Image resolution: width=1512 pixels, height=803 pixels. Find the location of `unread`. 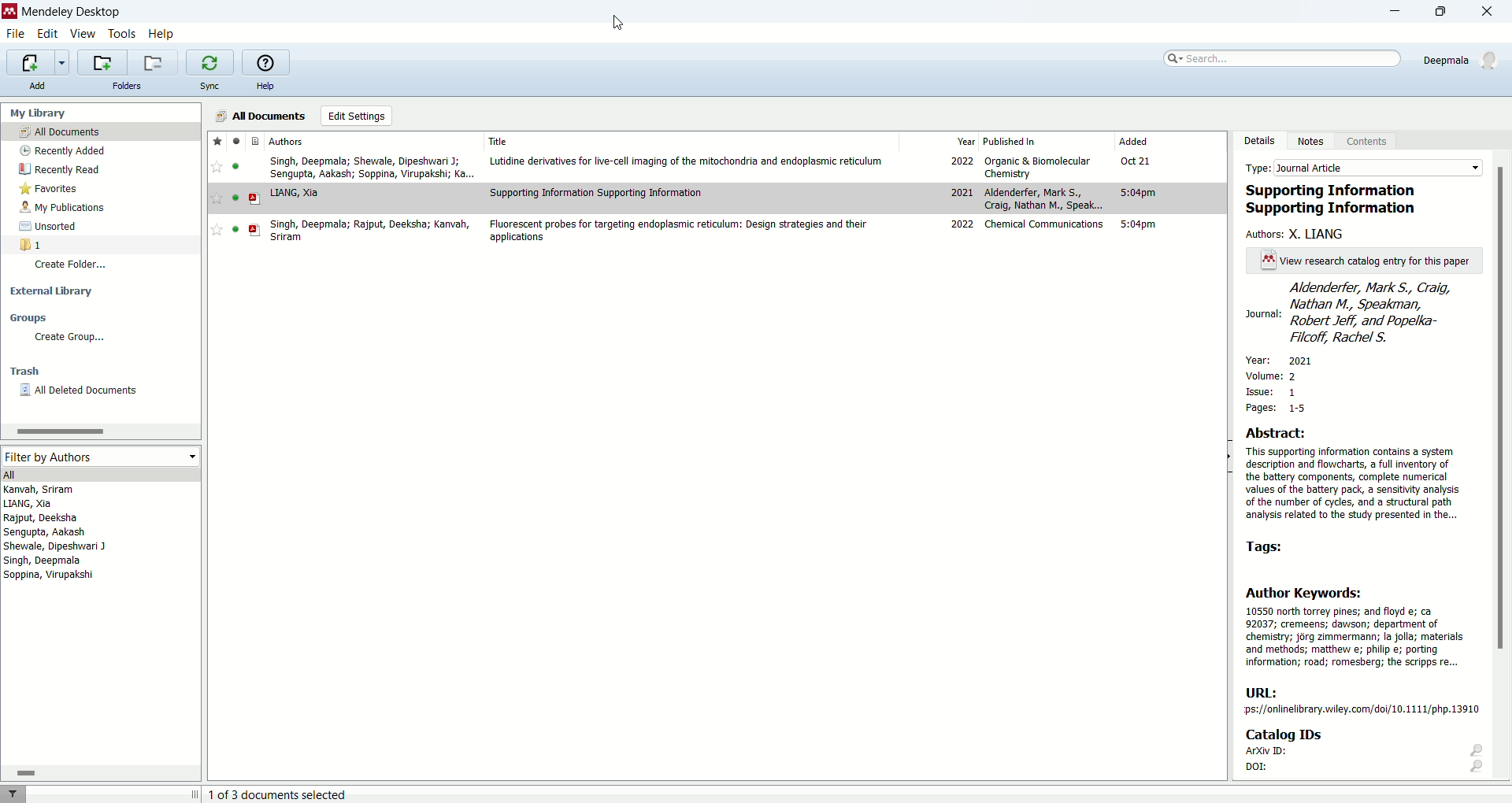

unread is located at coordinates (235, 229).